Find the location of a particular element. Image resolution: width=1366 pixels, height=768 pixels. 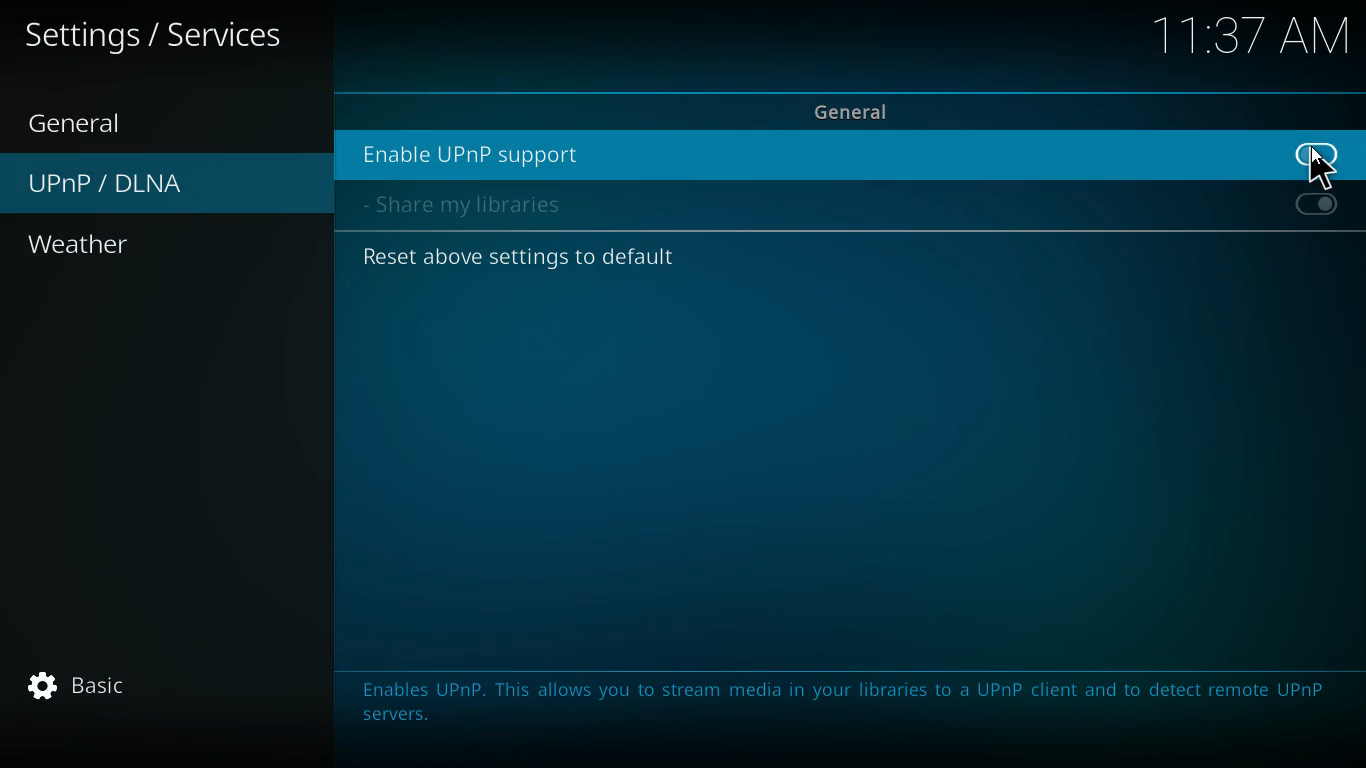

Enables UPnP. This allows you to stream media in your libraries to a UPnP client and to detect remote UPnP
servers. is located at coordinates (836, 708).